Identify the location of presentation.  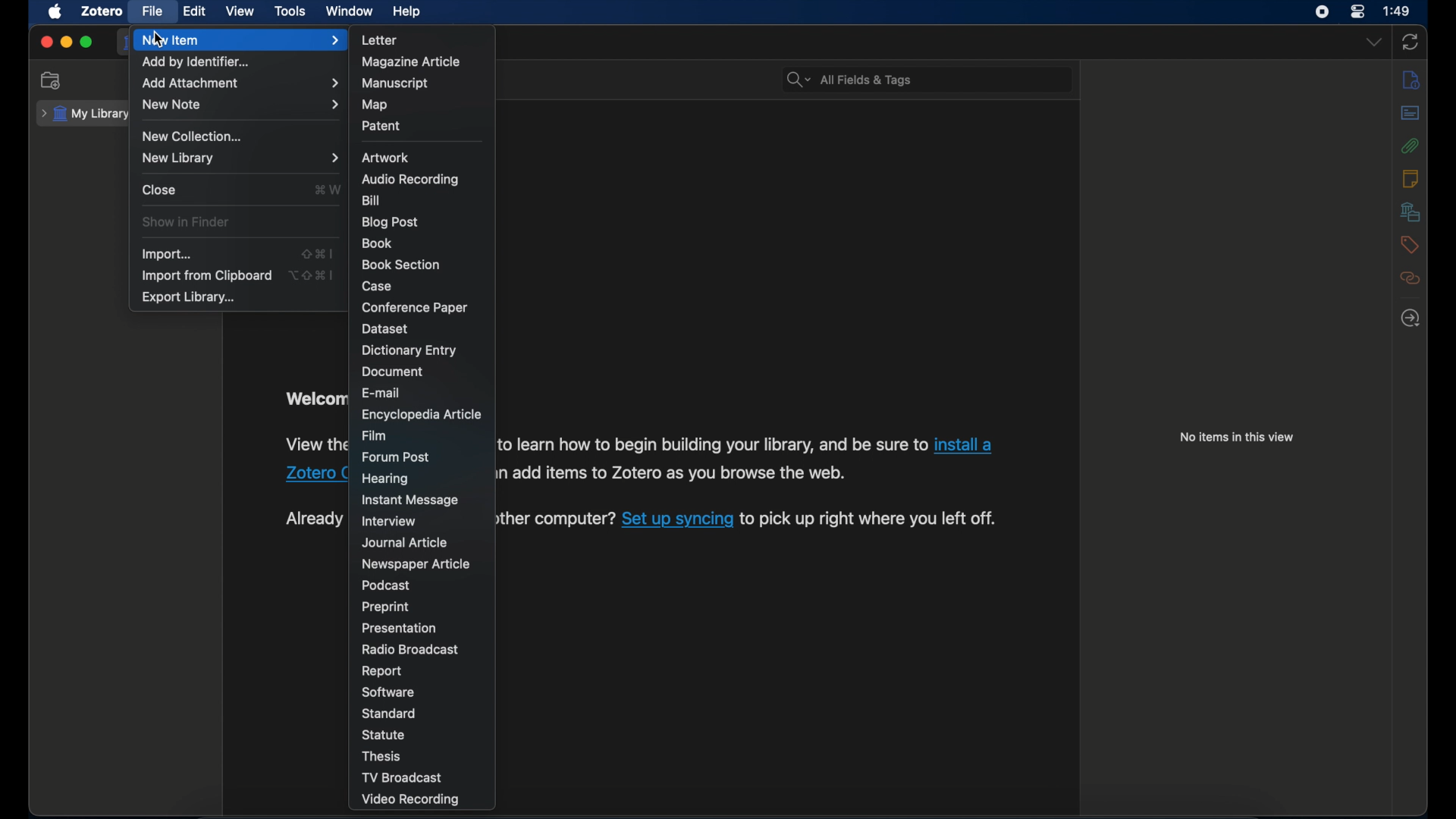
(400, 628).